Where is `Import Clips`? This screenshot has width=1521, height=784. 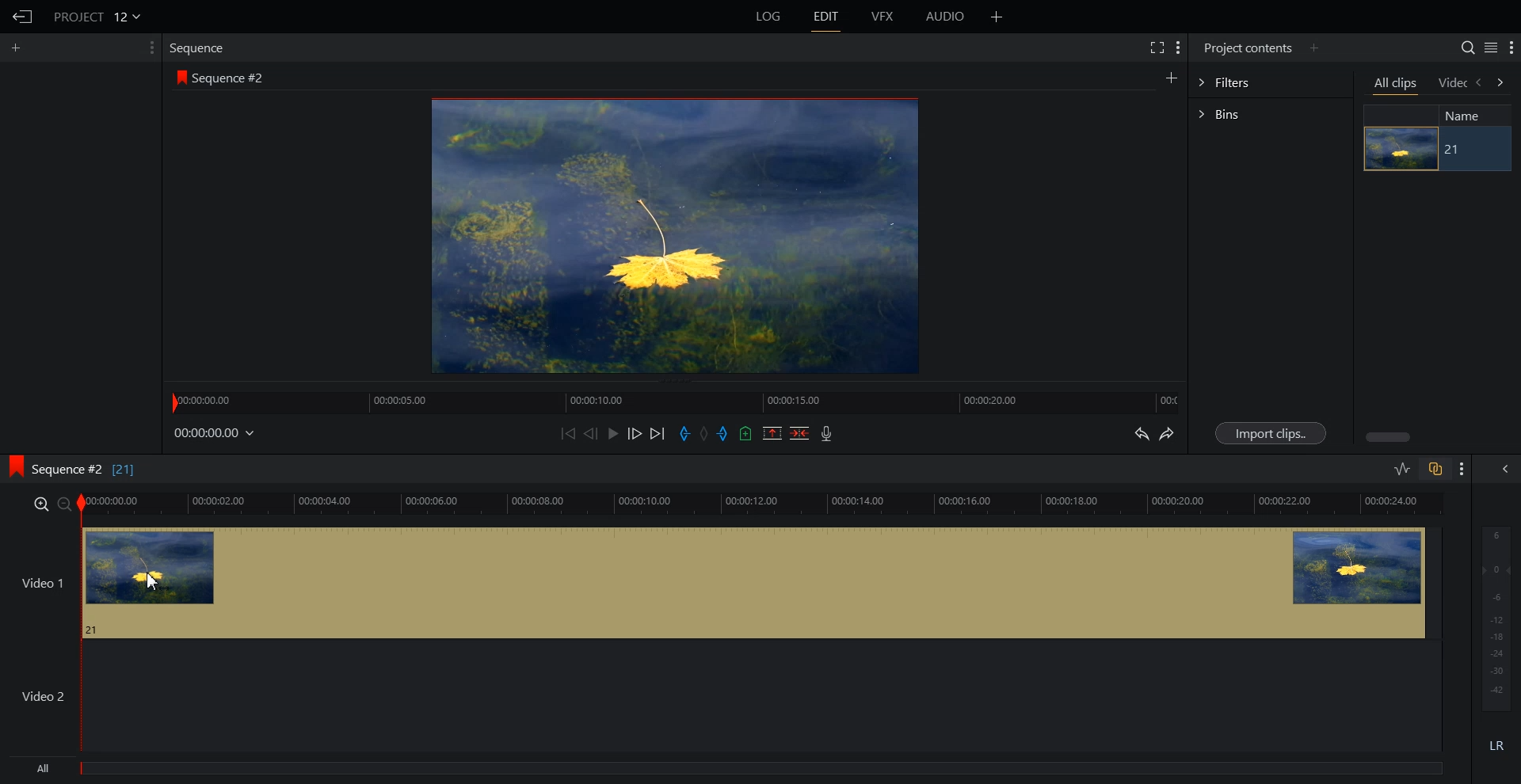 Import Clips is located at coordinates (1271, 432).